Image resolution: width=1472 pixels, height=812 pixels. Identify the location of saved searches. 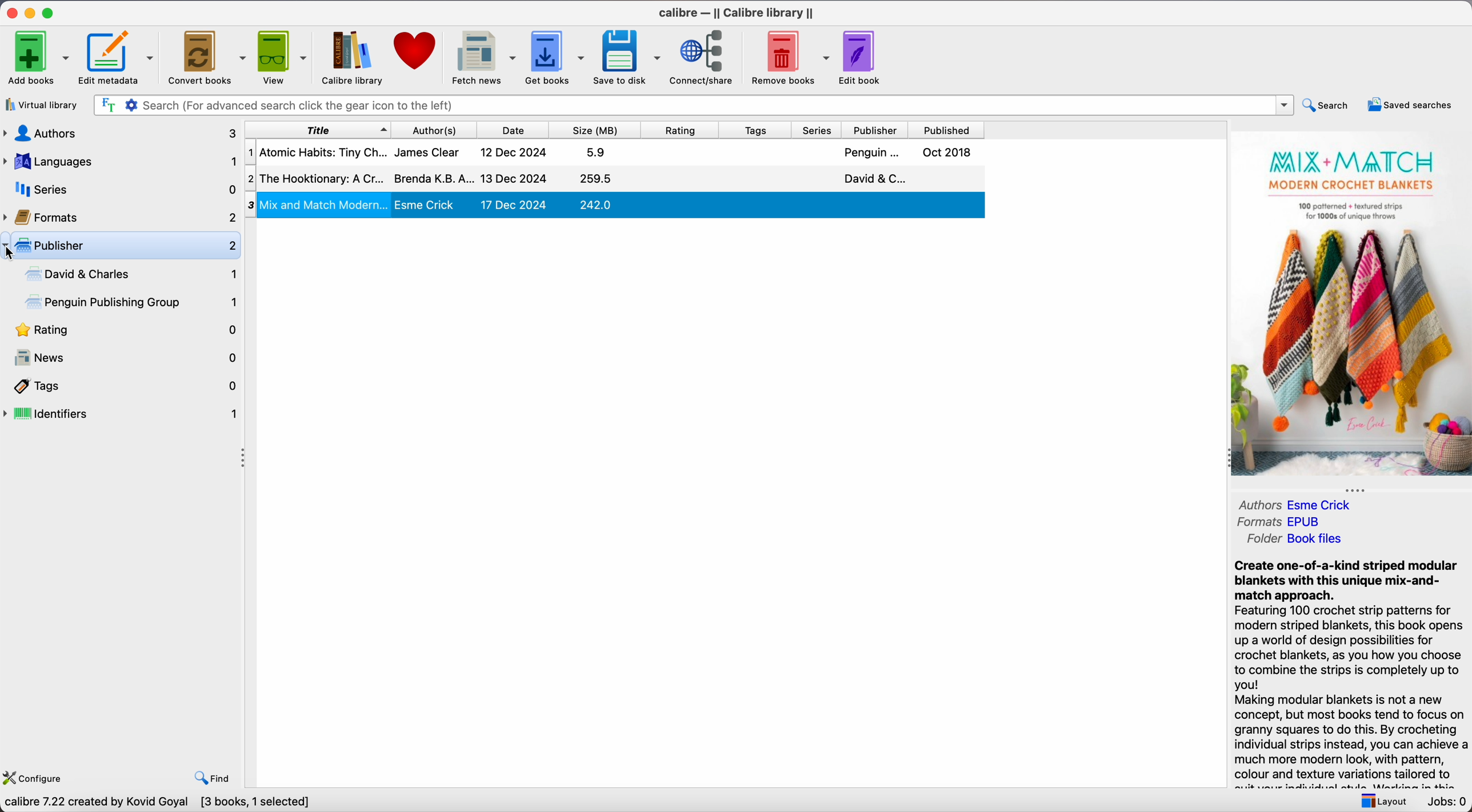
(1409, 104).